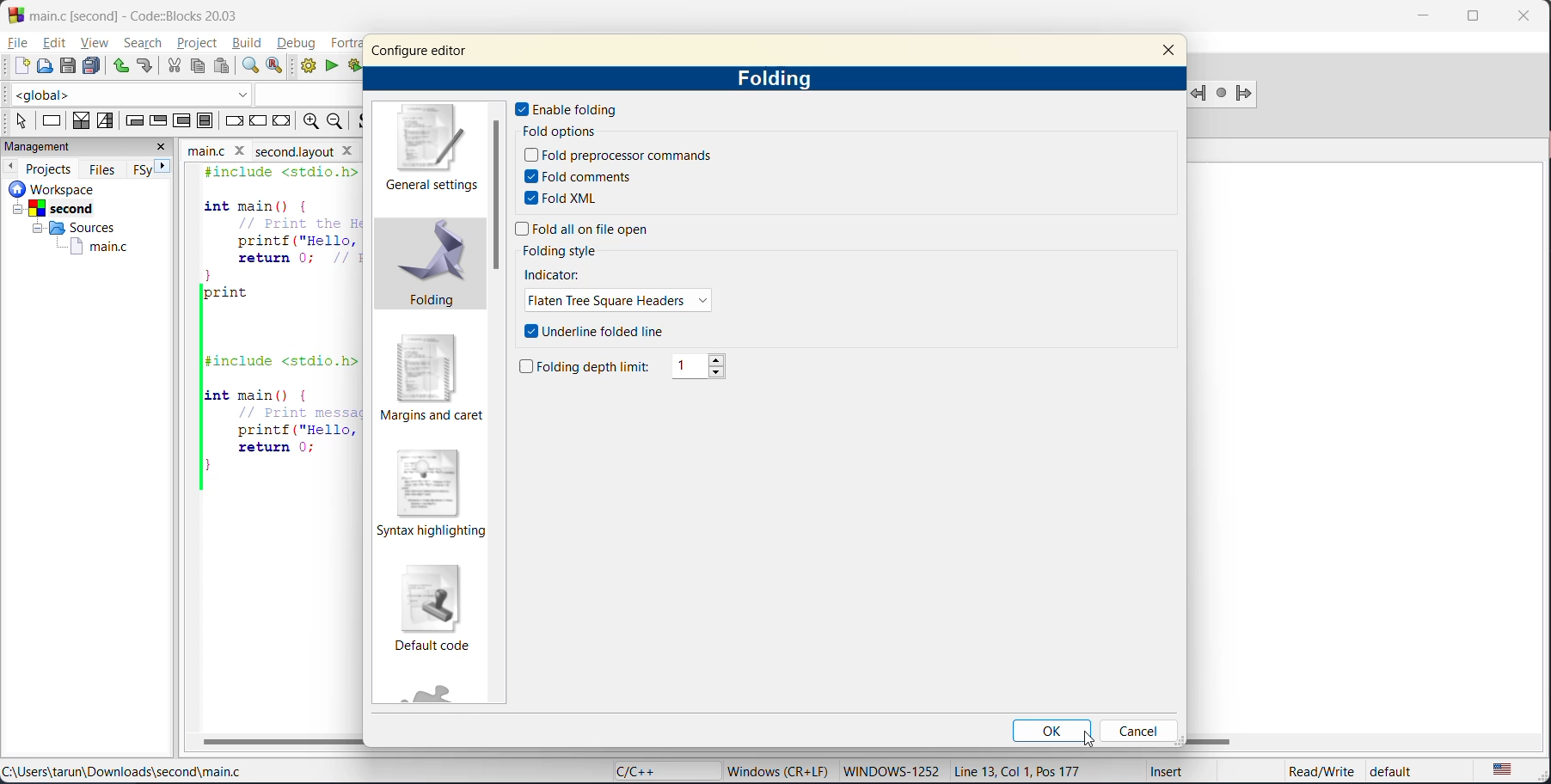  What do you see at coordinates (335, 69) in the screenshot?
I see `run` at bounding box center [335, 69].